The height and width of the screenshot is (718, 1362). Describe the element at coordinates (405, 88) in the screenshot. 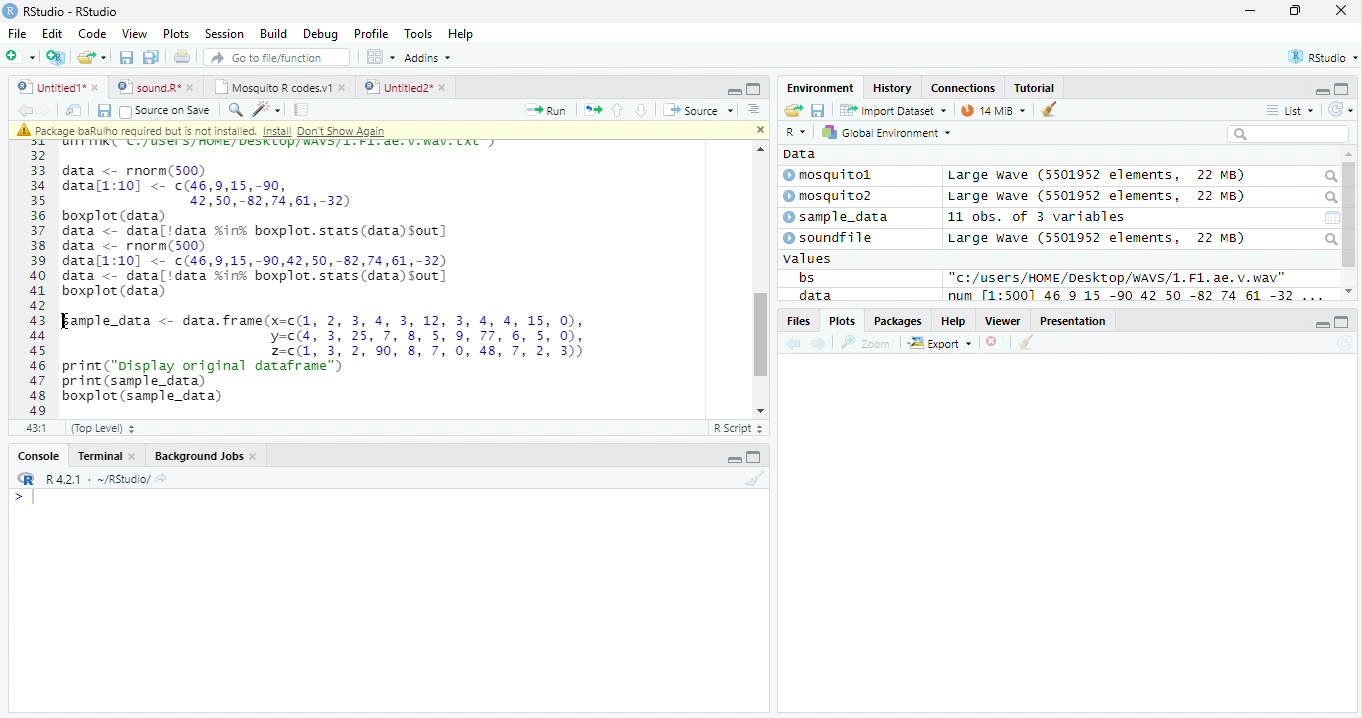

I see `Untitled2` at that location.